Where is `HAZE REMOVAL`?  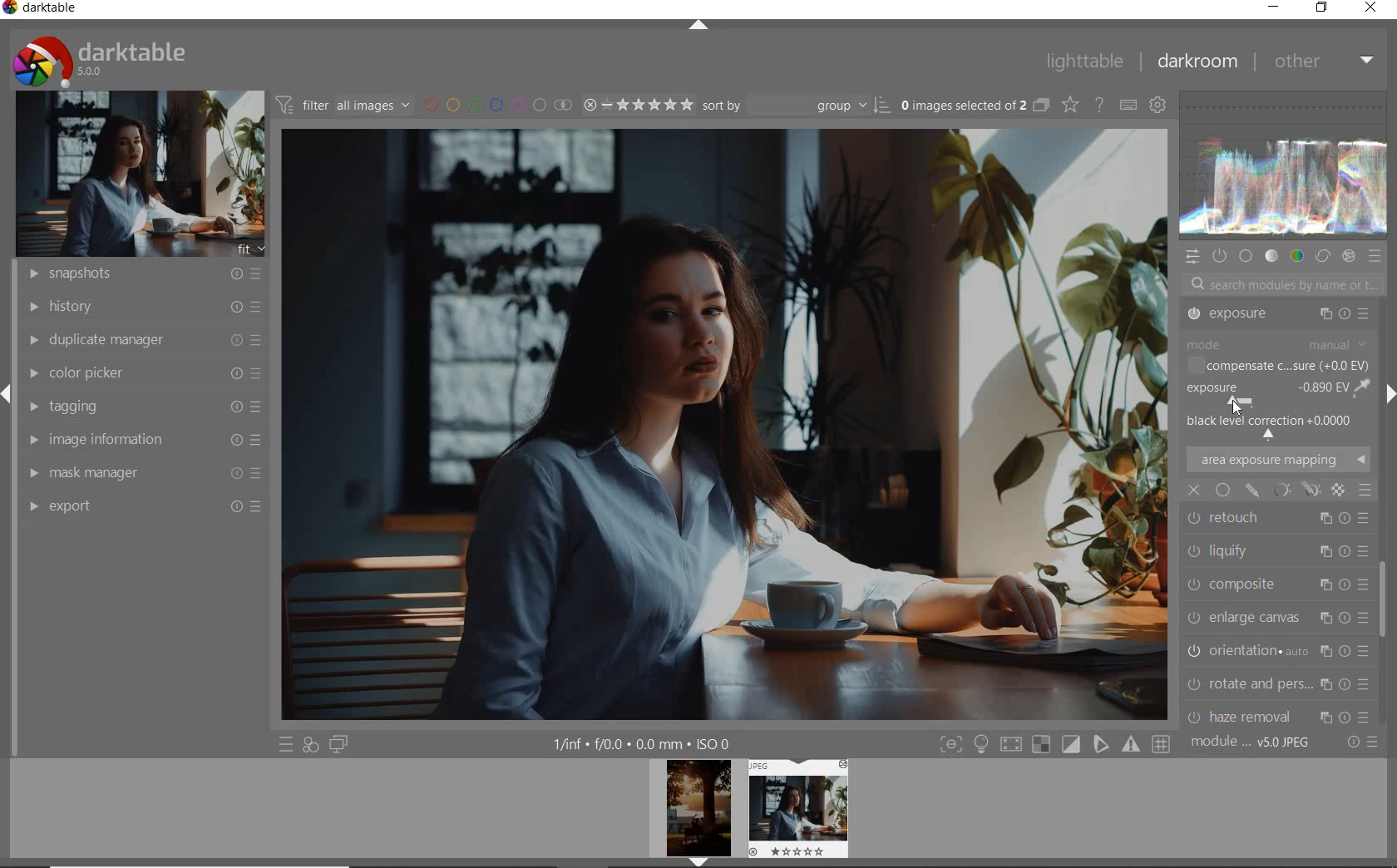
HAZE REMOVAL is located at coordinates (1278, 614).